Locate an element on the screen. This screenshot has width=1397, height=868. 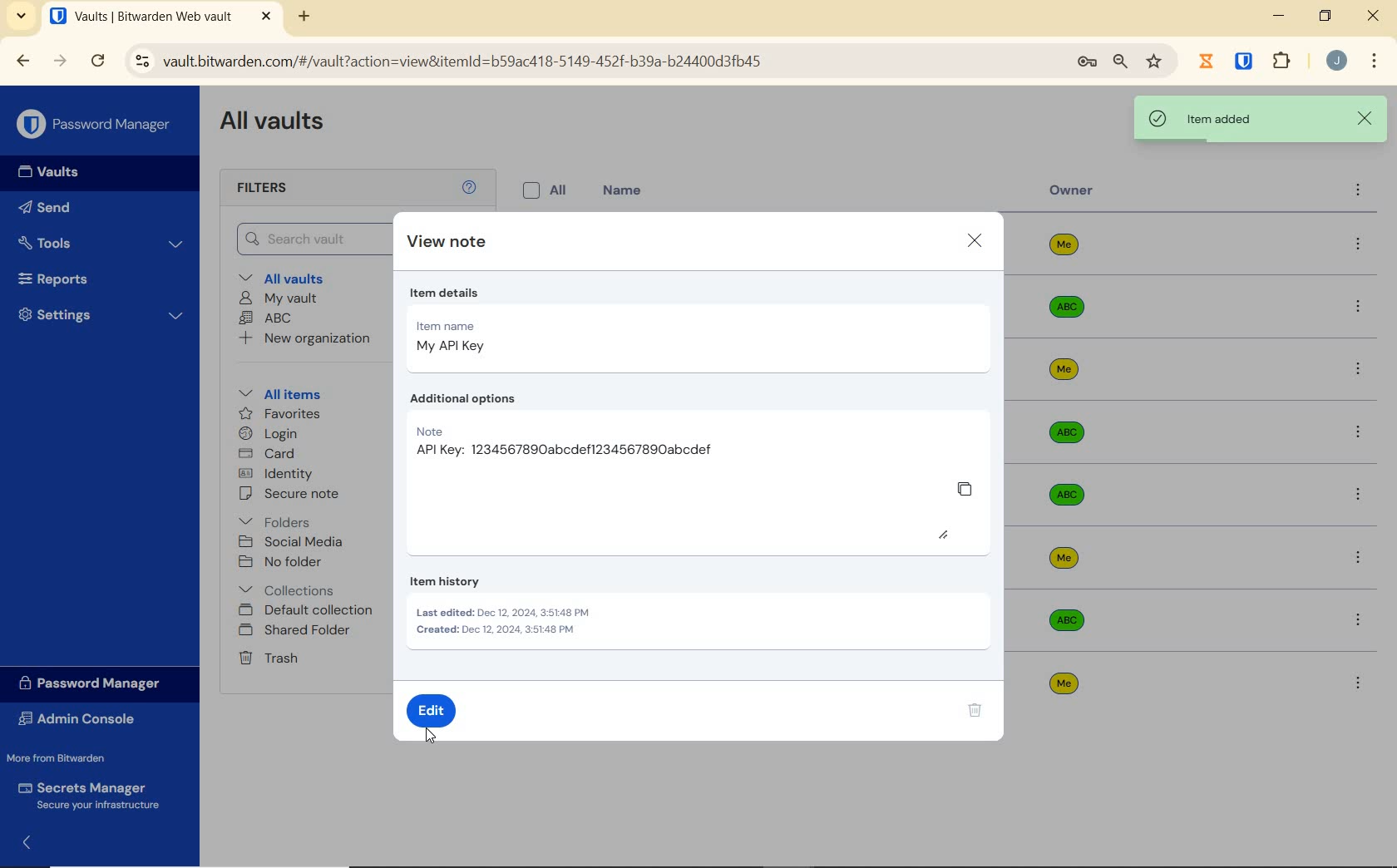
more options is located at coordinates (1359, 372).